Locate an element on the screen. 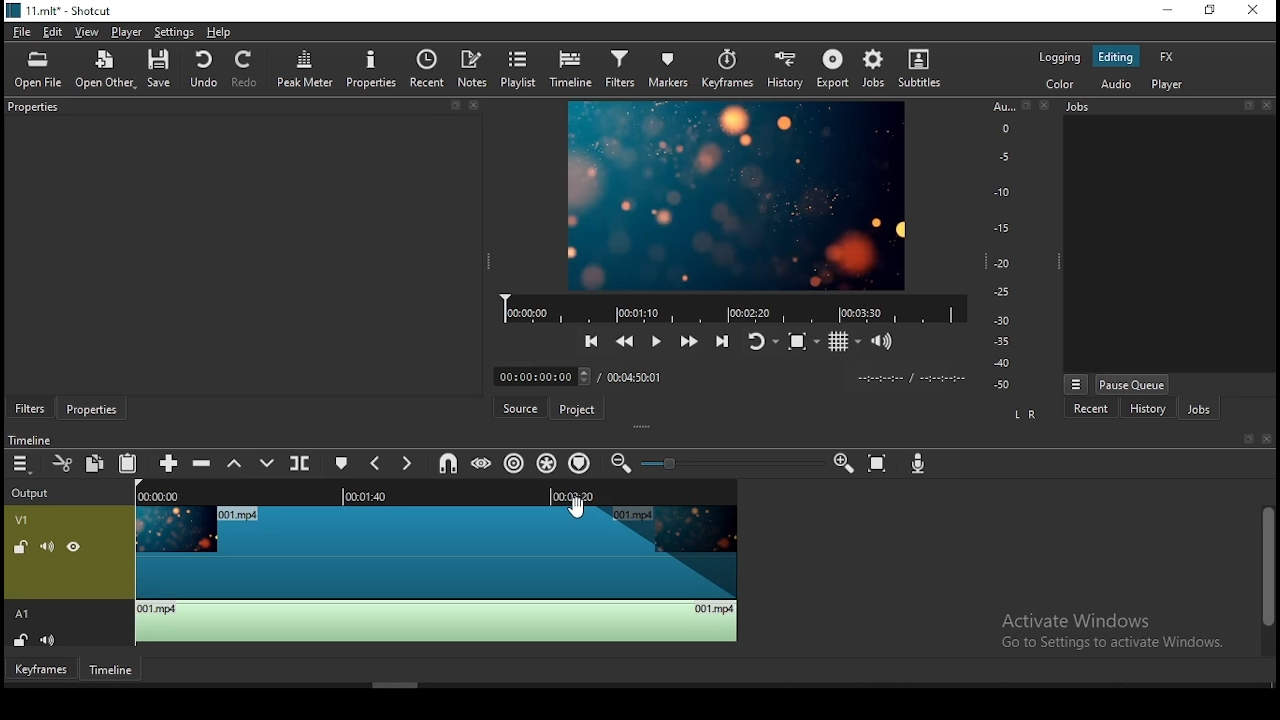 The image size is (1280, 720). toggle player after looping is located at coordinates (760, 341).